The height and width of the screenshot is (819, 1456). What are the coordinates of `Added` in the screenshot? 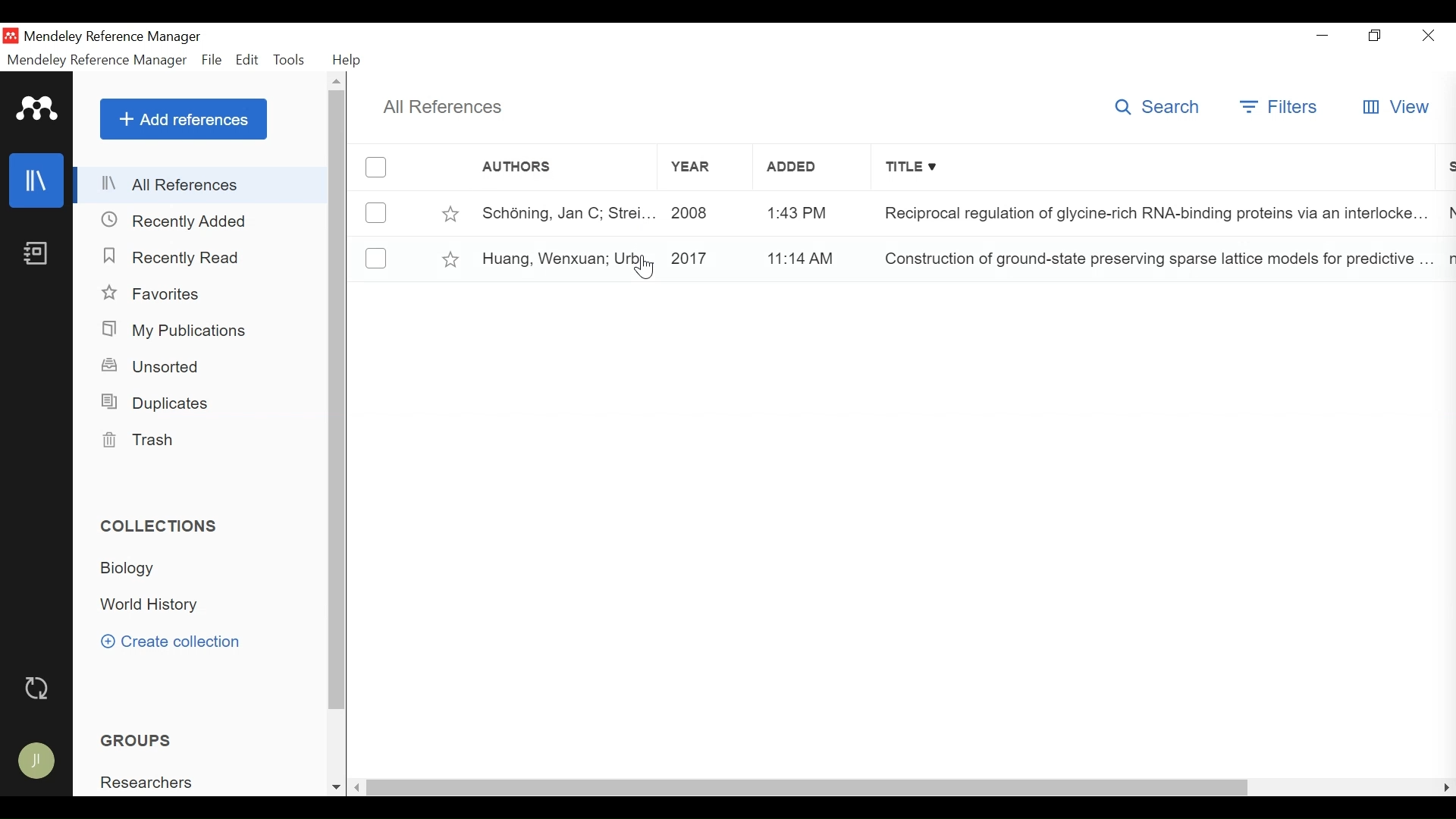 It's located at (807, 256).